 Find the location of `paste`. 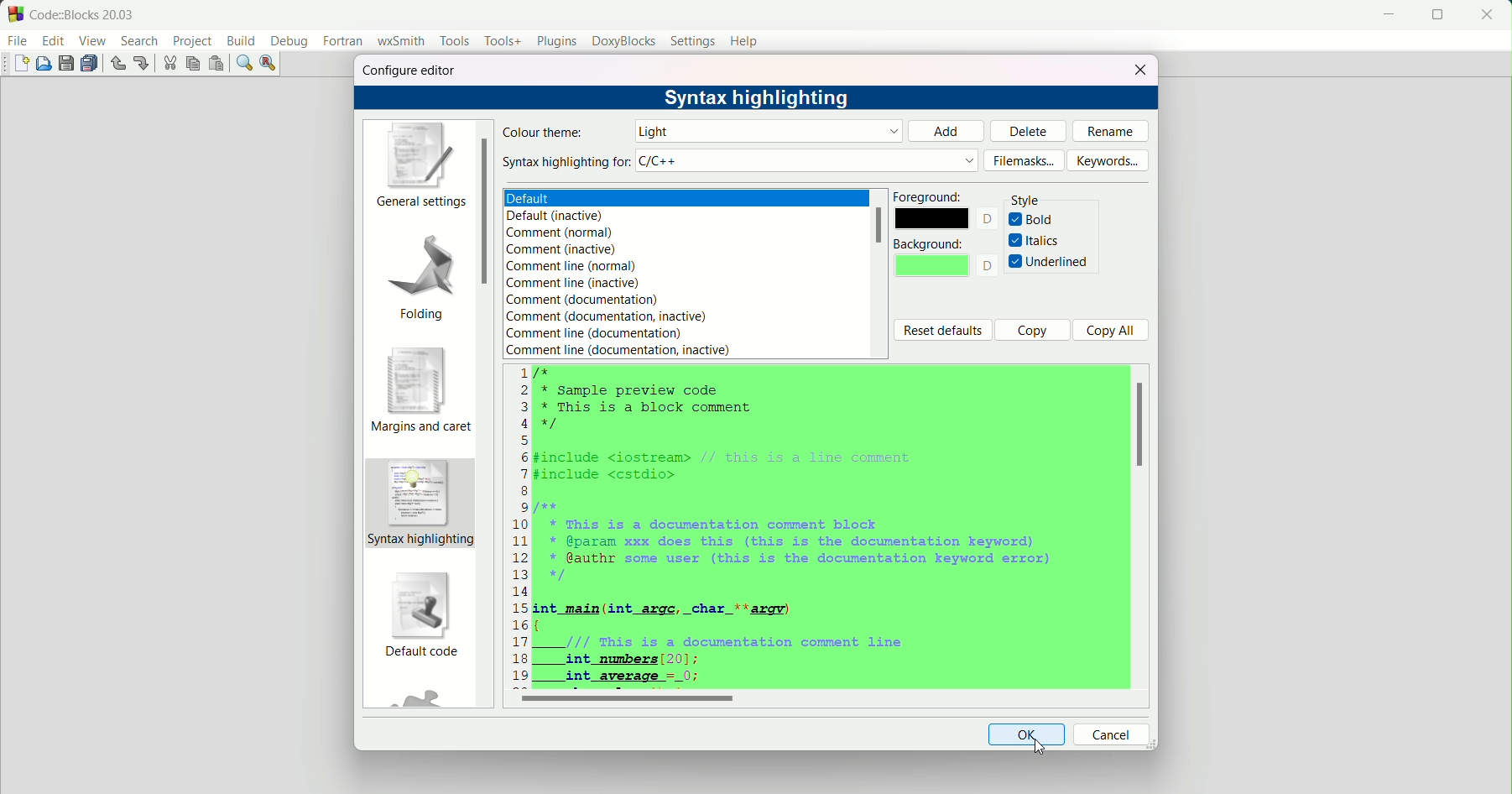

paste is located at coordinates (215, 64).